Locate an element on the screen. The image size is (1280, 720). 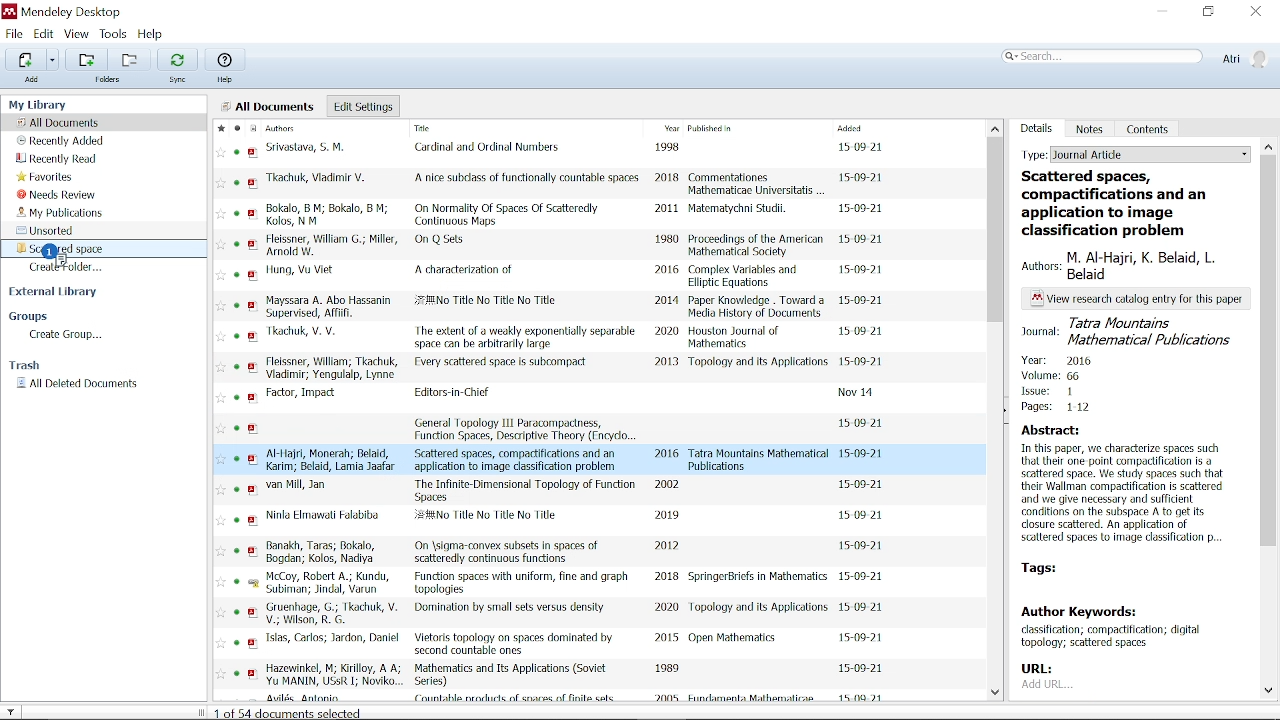
authors is located at coordinates (329, 215).